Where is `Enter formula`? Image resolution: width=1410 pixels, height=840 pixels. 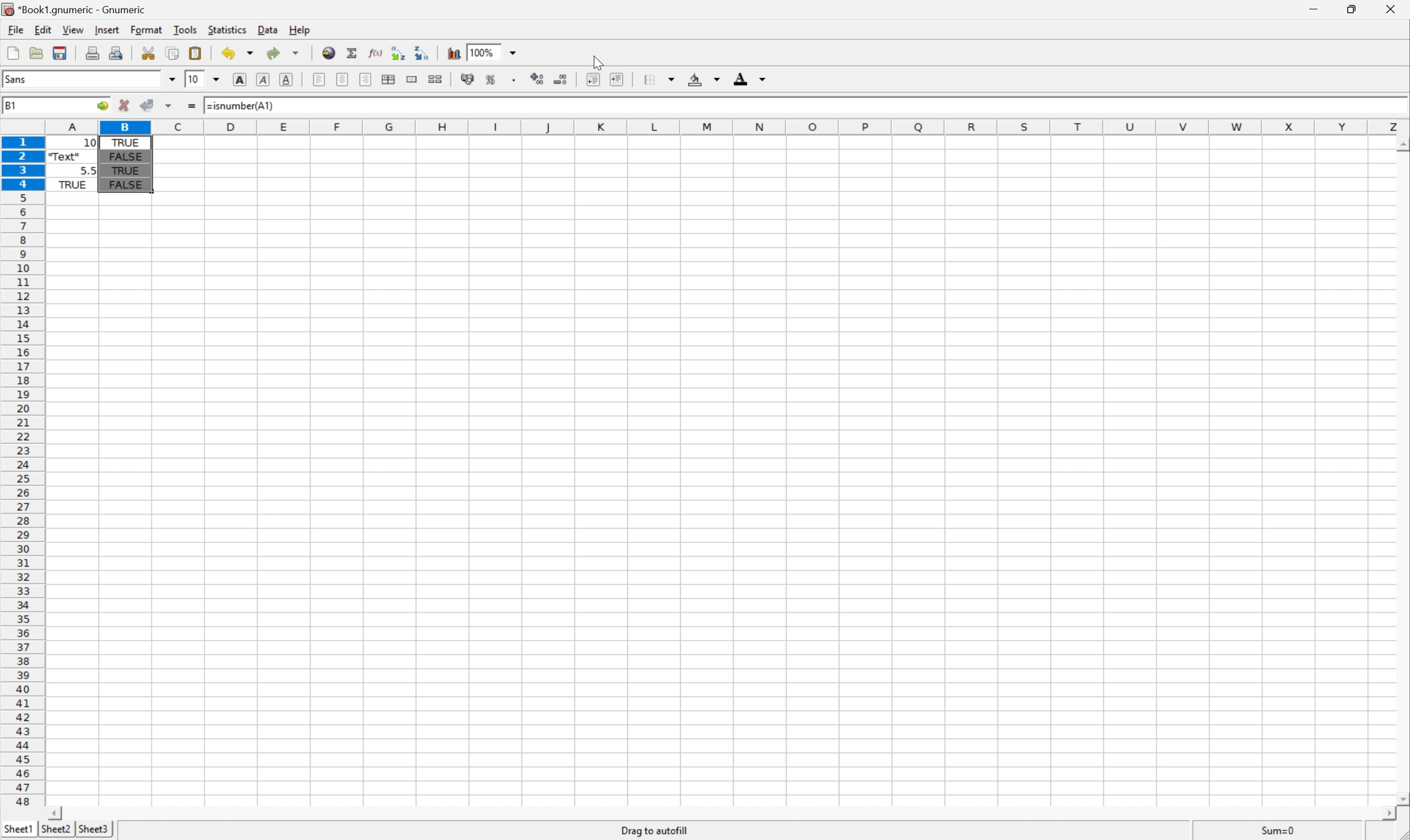
Enter formula is located at coordinates (191, 106).